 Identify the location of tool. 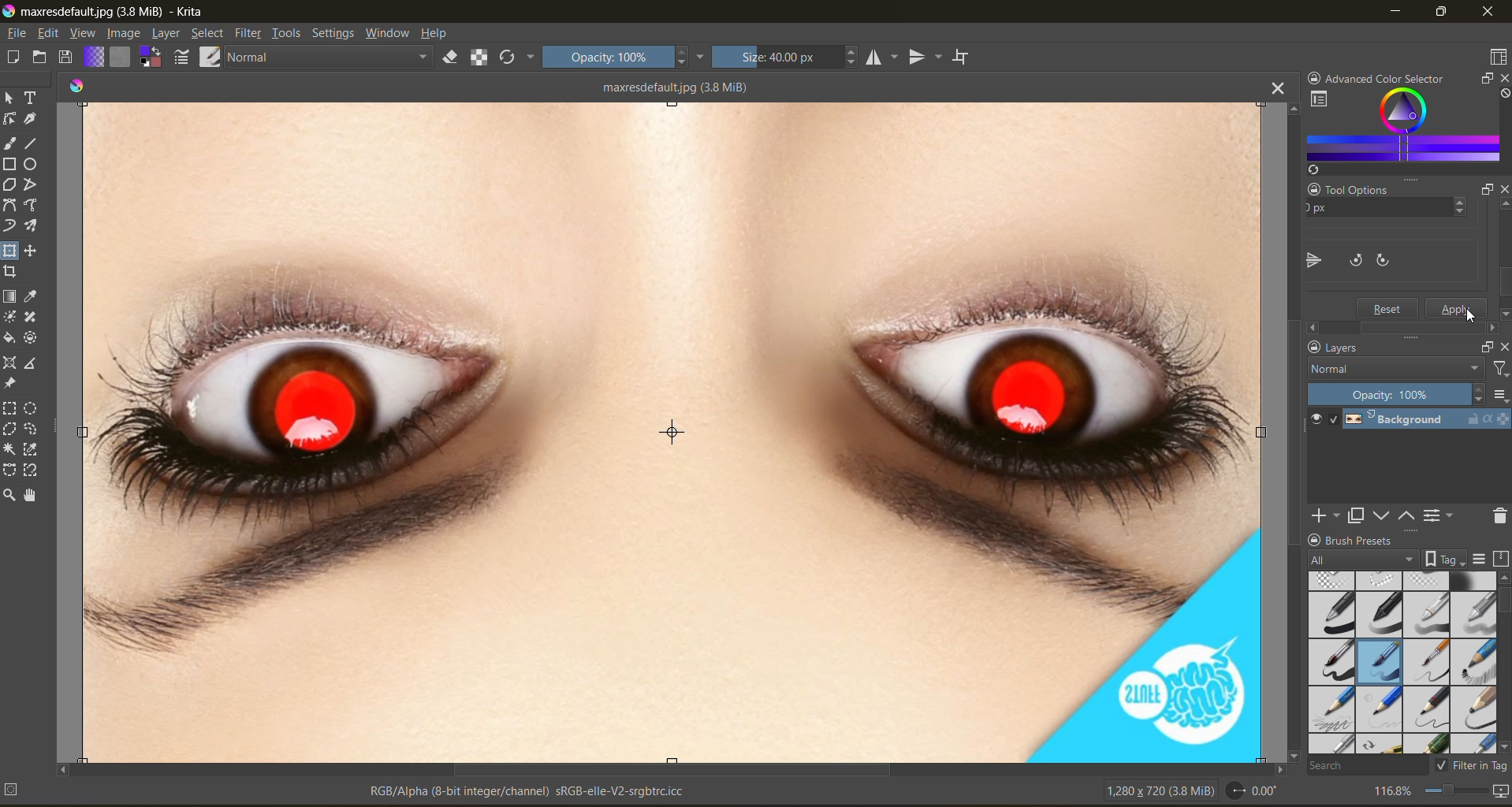
(32, 363).